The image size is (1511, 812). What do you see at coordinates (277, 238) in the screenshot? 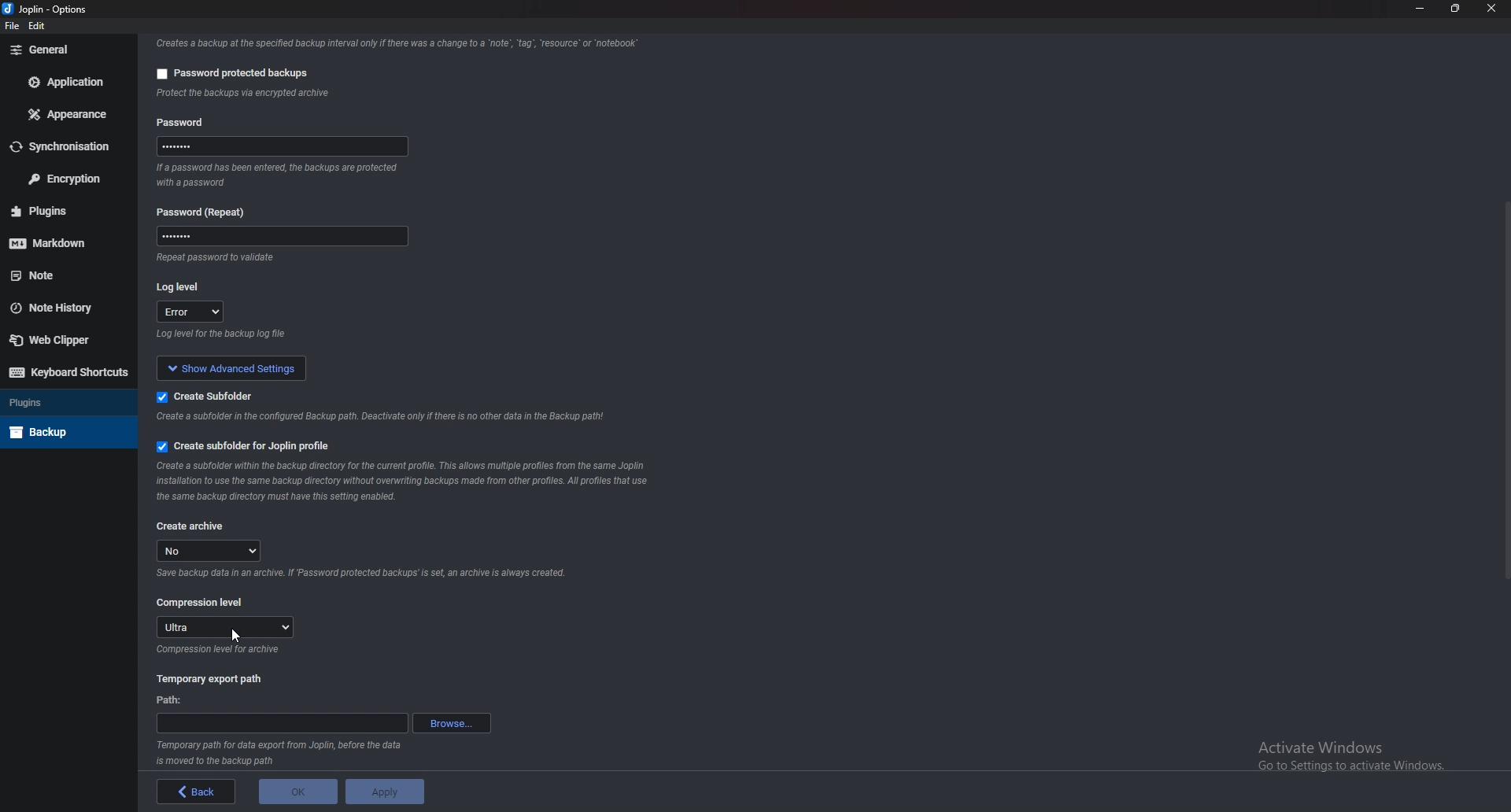
I see `password` at bounding box center [277, 238].